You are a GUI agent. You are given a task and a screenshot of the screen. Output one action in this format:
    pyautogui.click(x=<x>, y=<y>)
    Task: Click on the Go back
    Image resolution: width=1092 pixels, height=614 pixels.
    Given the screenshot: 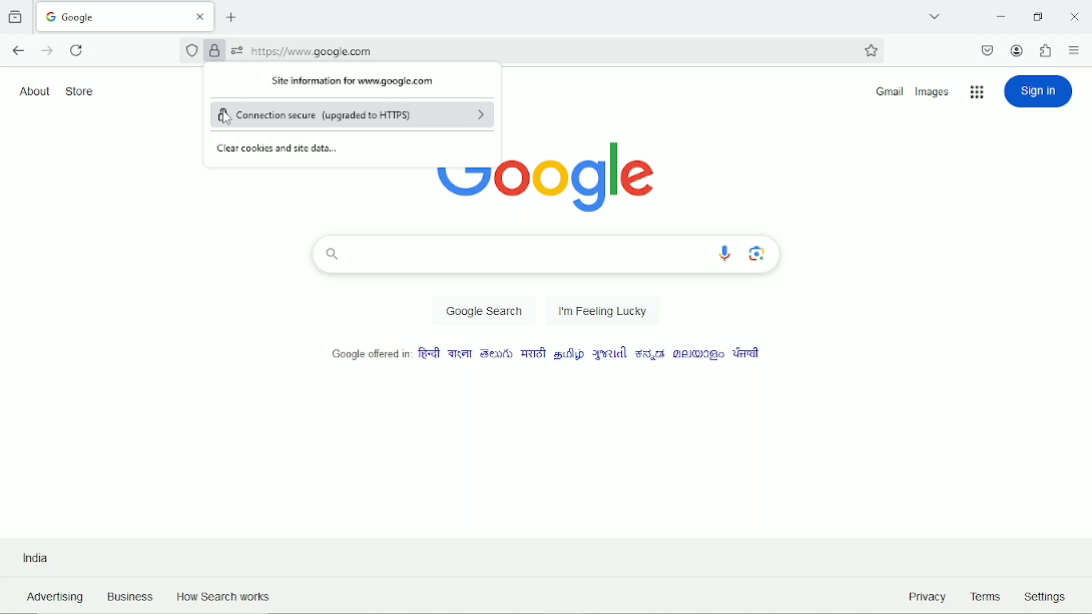 What is the action you would take?
    pyautogui.click(x=18, y=50)
    